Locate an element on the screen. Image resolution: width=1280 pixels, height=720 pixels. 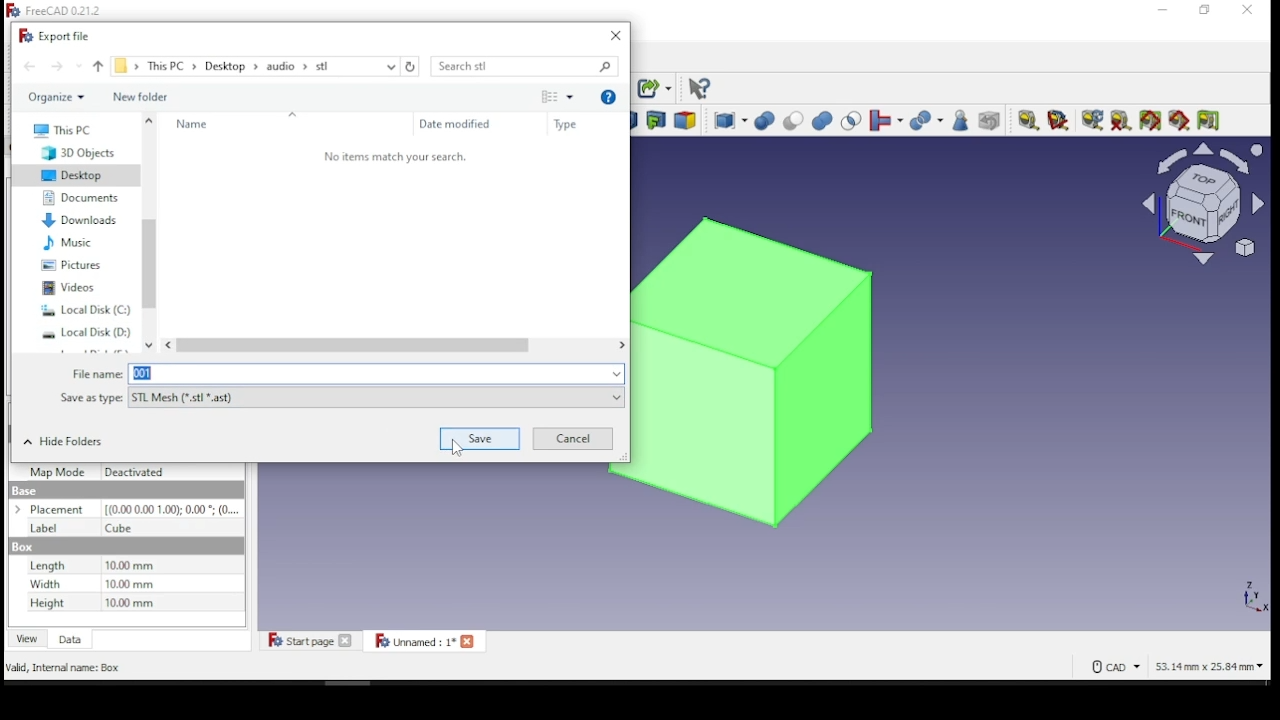
Export an Object in the active document is located at coordinates (114, 668).